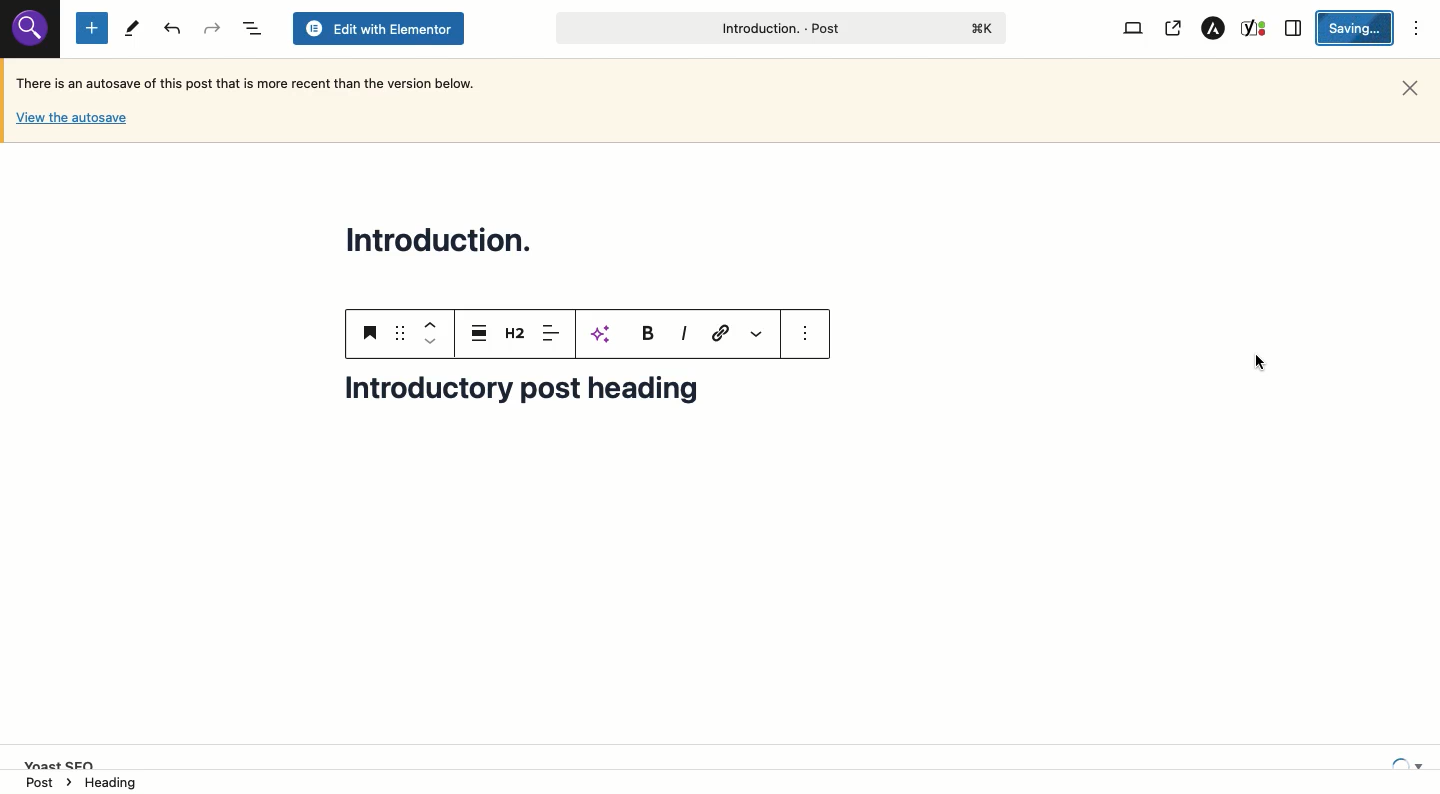  Describe the element at coordinates (92, 27) in the screenshot. I see `Add new block` at that location.